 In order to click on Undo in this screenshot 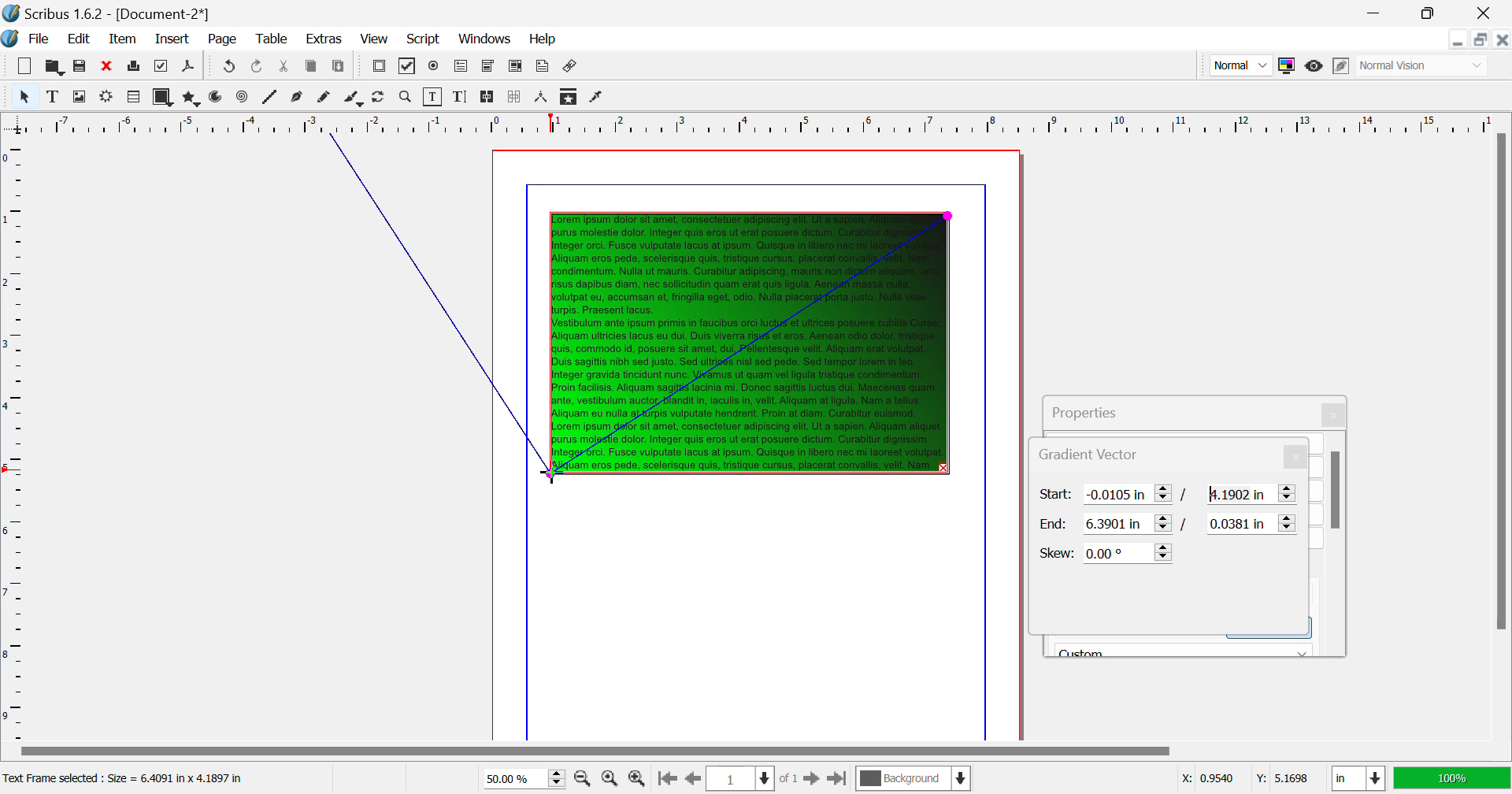, I will do `click(259, 68)`.